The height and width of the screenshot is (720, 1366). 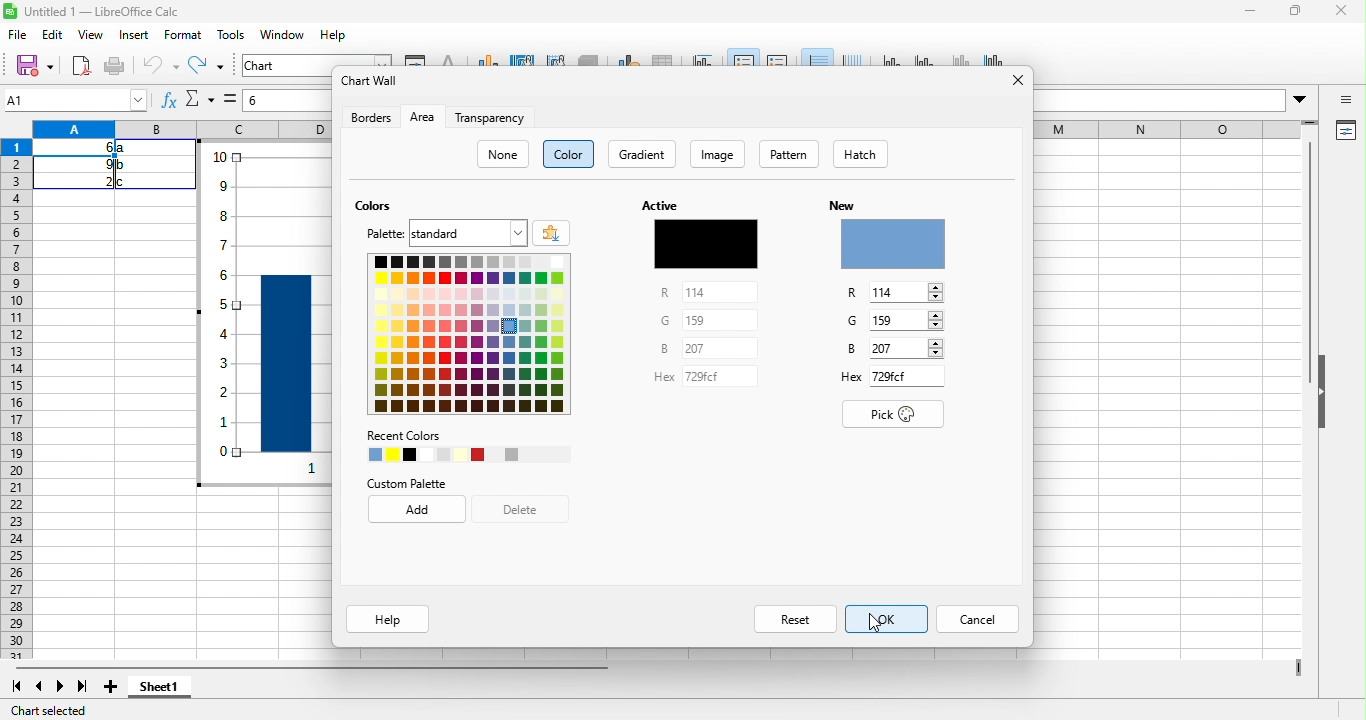 What do you see at coordinates (889, 235) in the screenshot?
I see `new color` at bounding box center [889, 235].